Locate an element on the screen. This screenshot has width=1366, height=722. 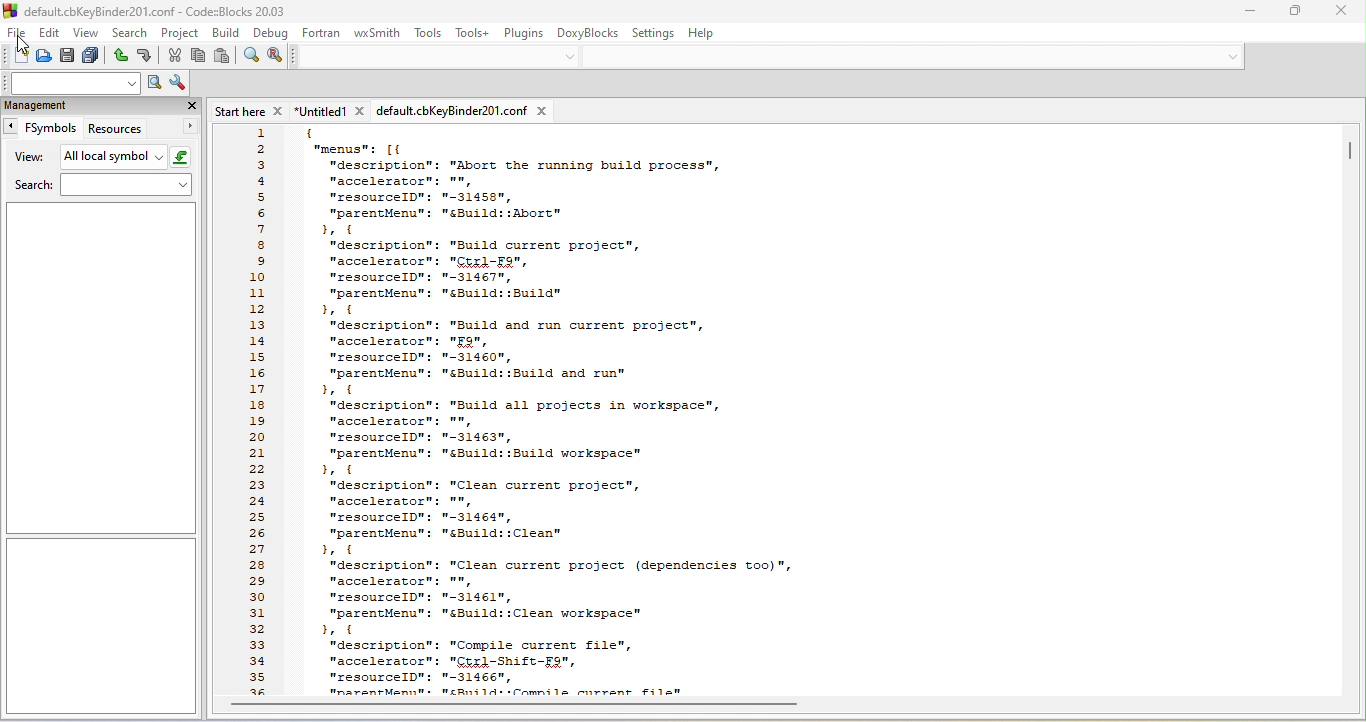
minimize/restore is located at coordinates (1295, 13).